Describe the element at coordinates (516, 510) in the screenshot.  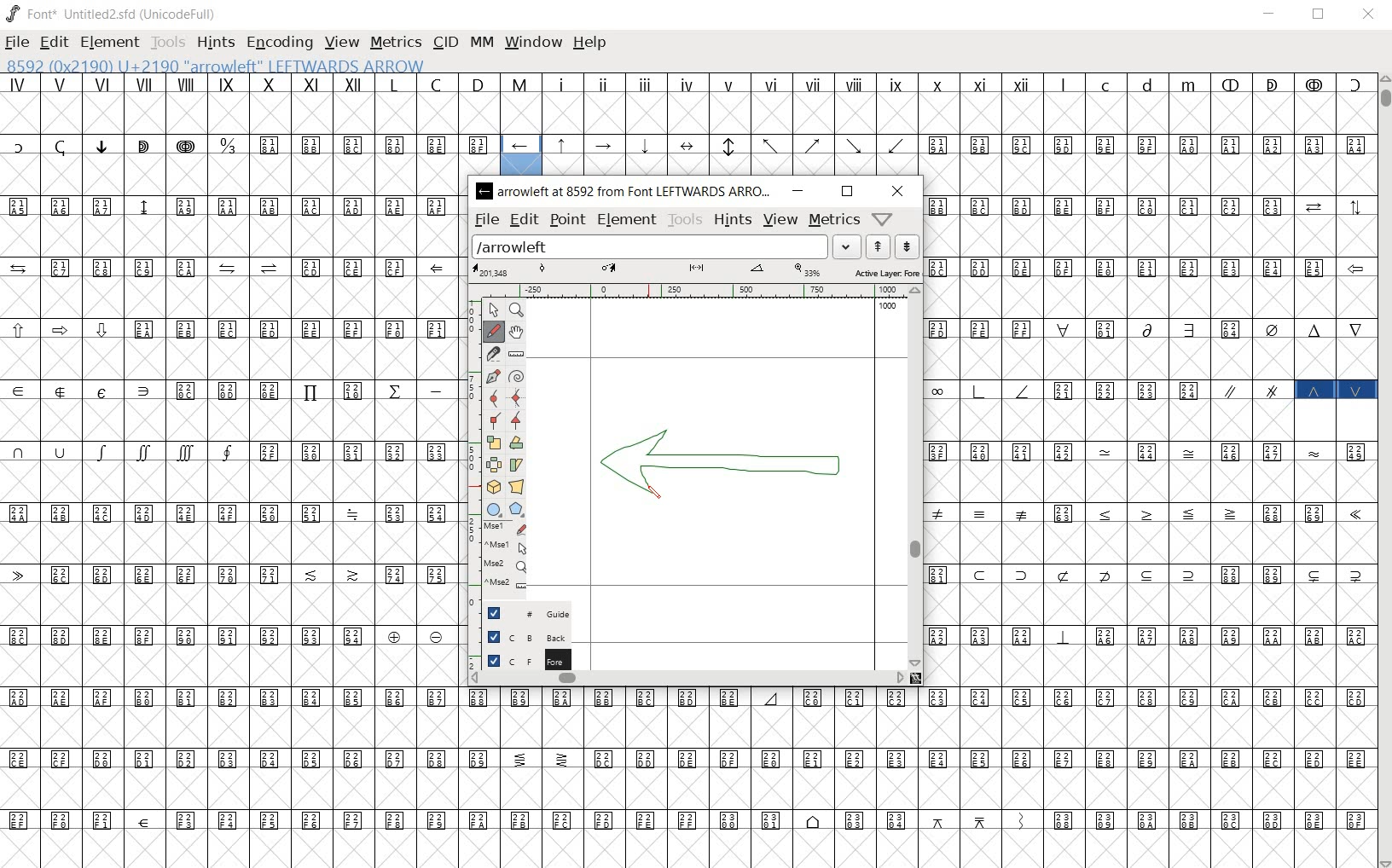
I see `polygon or star` at that location.